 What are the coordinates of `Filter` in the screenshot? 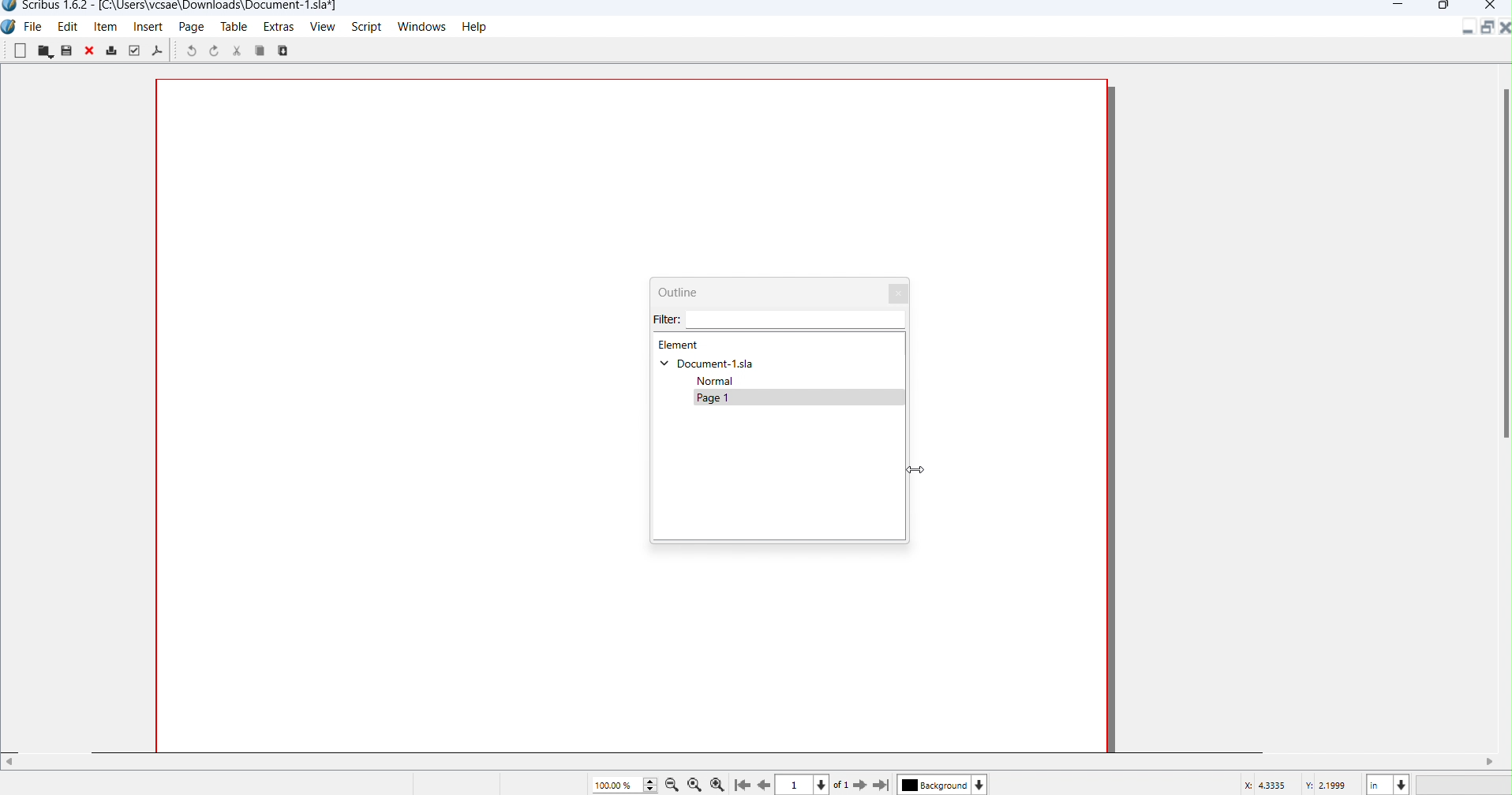 It's located at (745, 323).